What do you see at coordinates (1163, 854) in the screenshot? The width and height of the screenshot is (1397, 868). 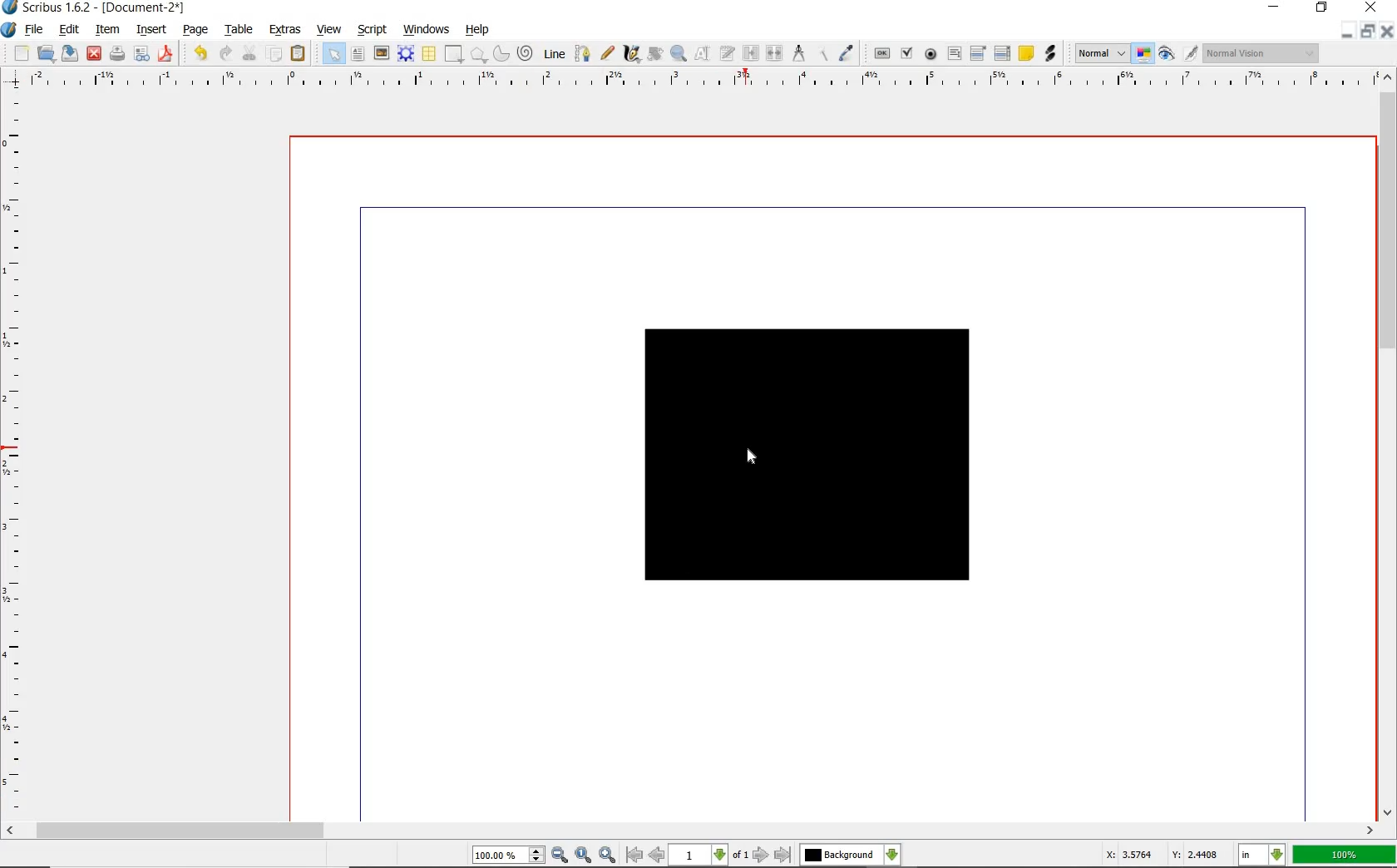 I see `X: 3.5764 Y: 2.4408` at bounding box center [1163, 854].